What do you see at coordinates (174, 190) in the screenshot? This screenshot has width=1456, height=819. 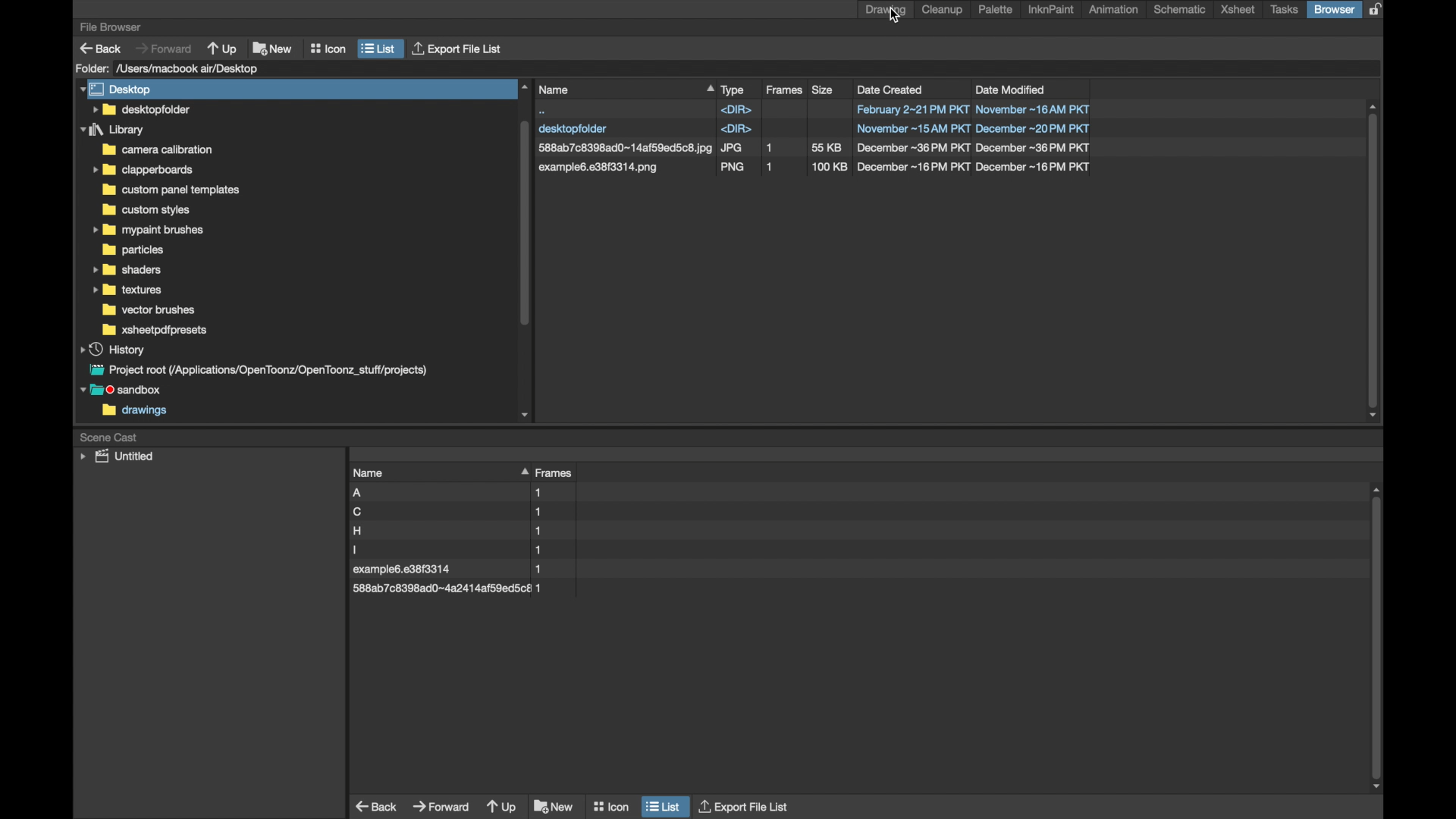 I see `folder` at bounding box center [174, 190].